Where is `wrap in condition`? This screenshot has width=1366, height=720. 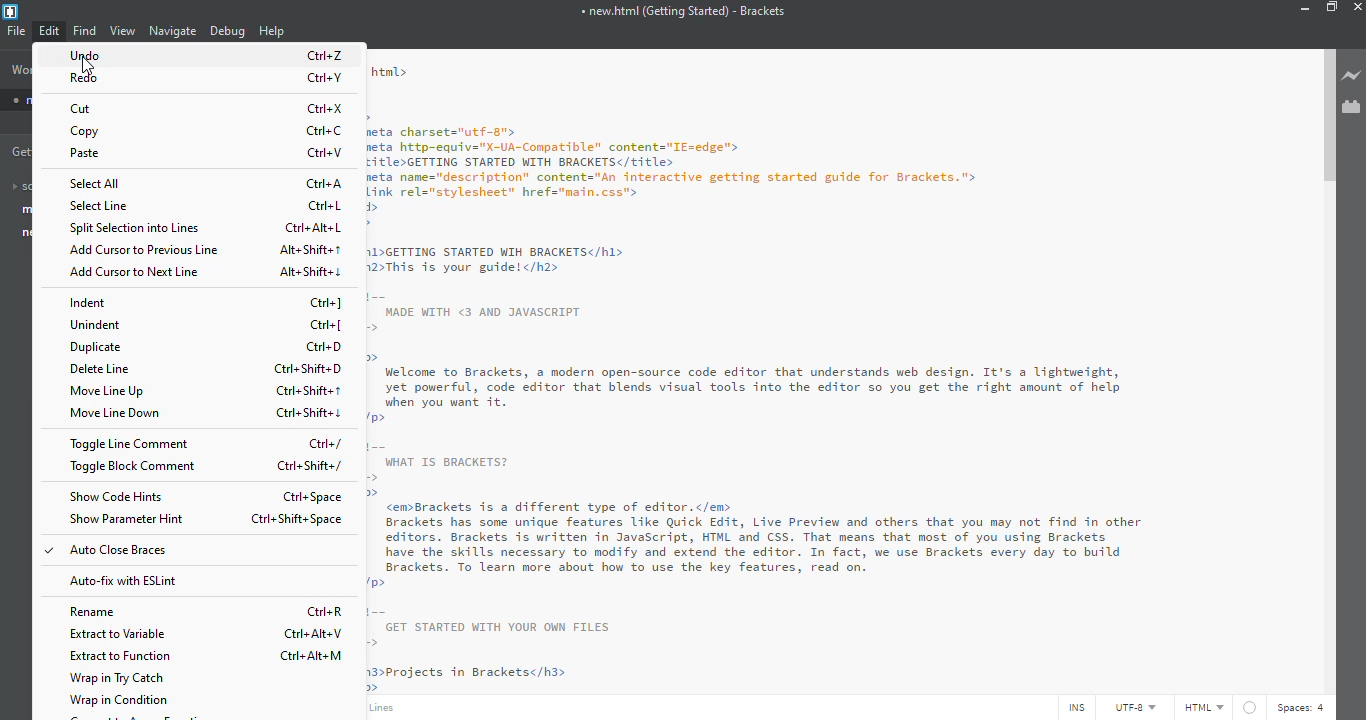
wrap in condition is located at coordinates (122, 700).